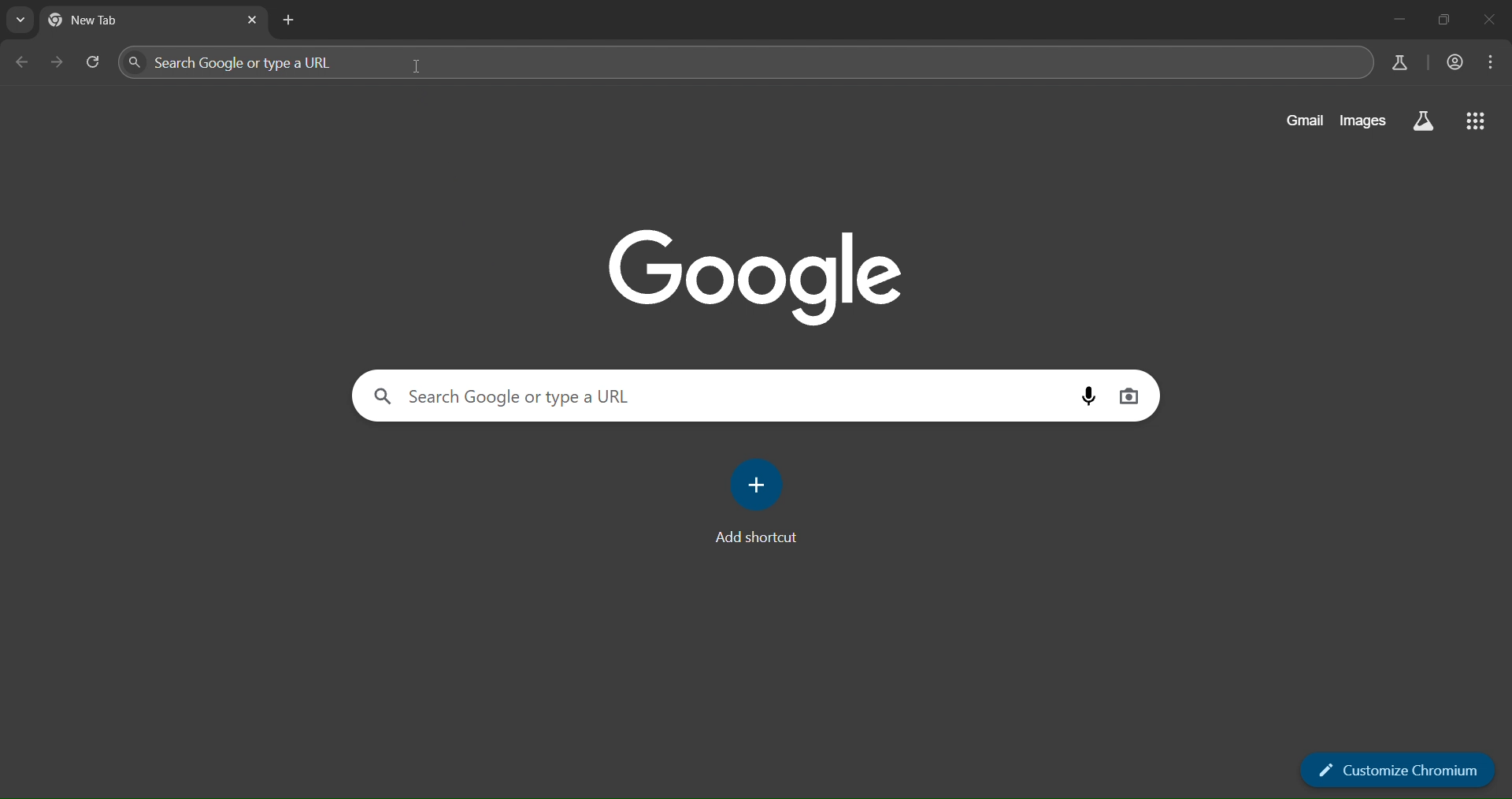 The image size is (1512, 799). I want to click on close tab, so click(251, 20).